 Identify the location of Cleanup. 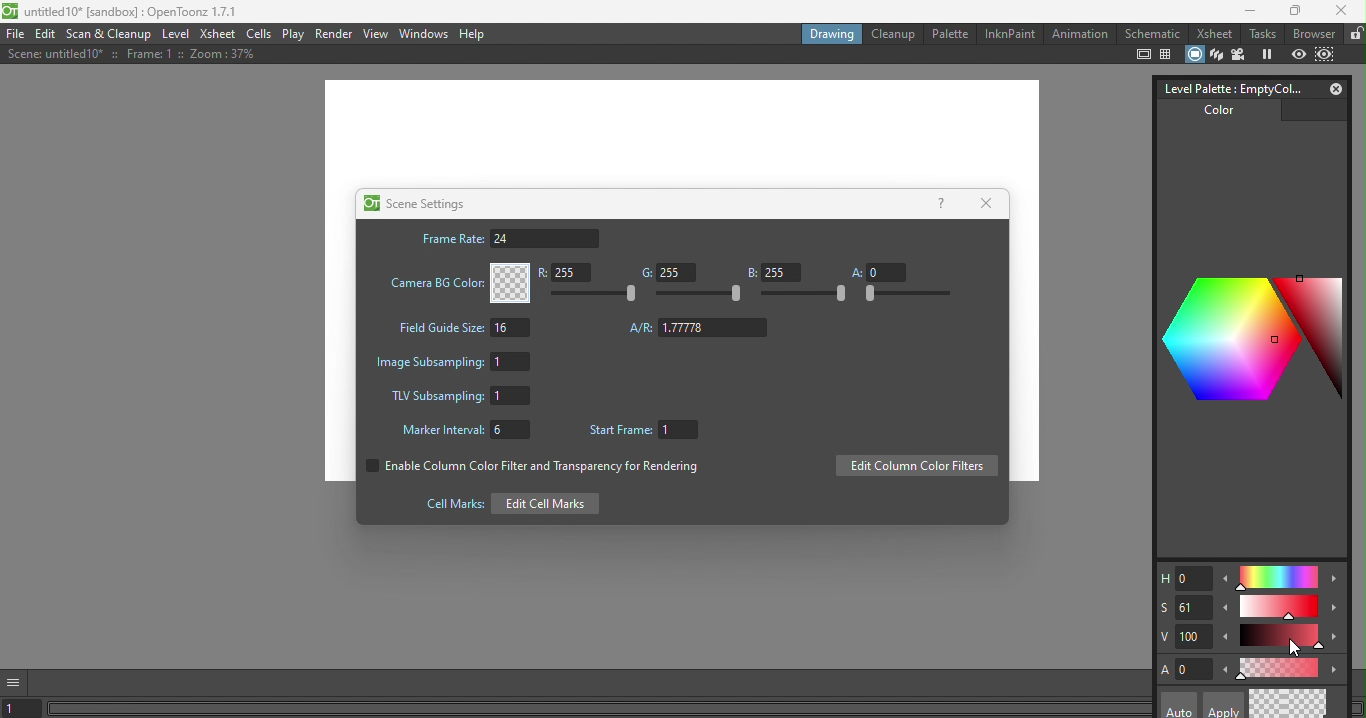
(892, 34).